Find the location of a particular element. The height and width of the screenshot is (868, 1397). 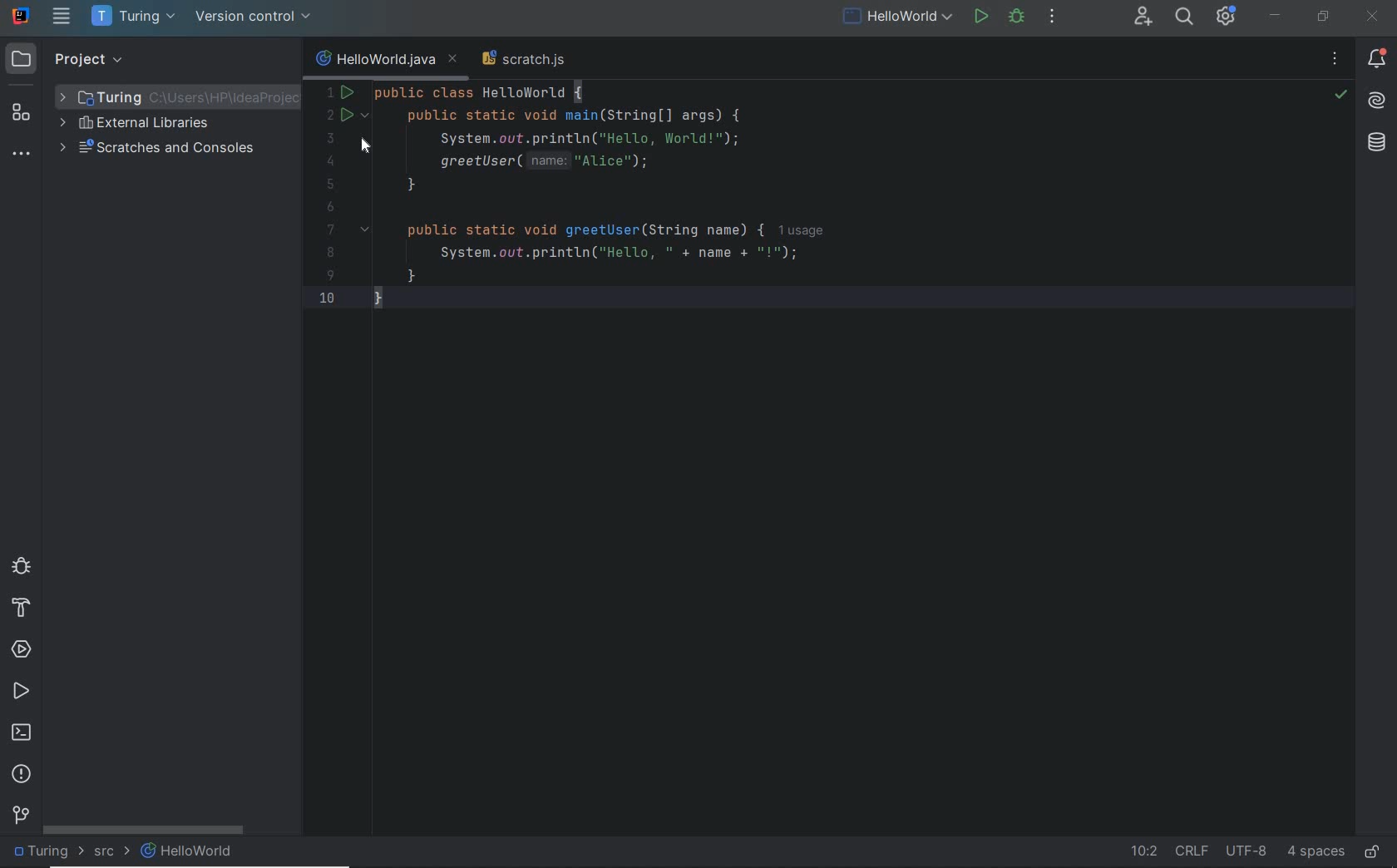

file name is located at coordinates (189, 851).